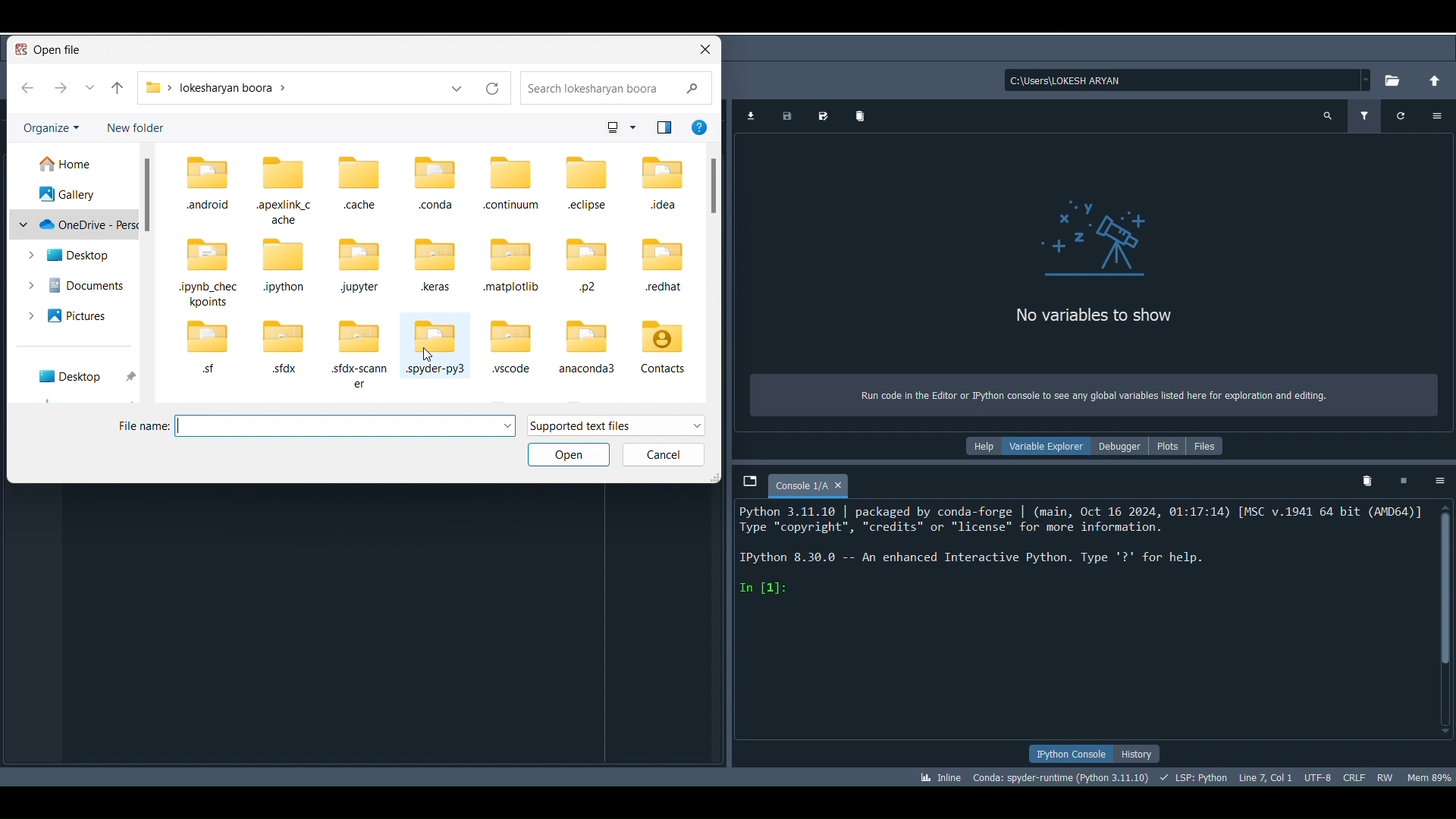  I want to click on Remove all data variables, so click(855, 113).